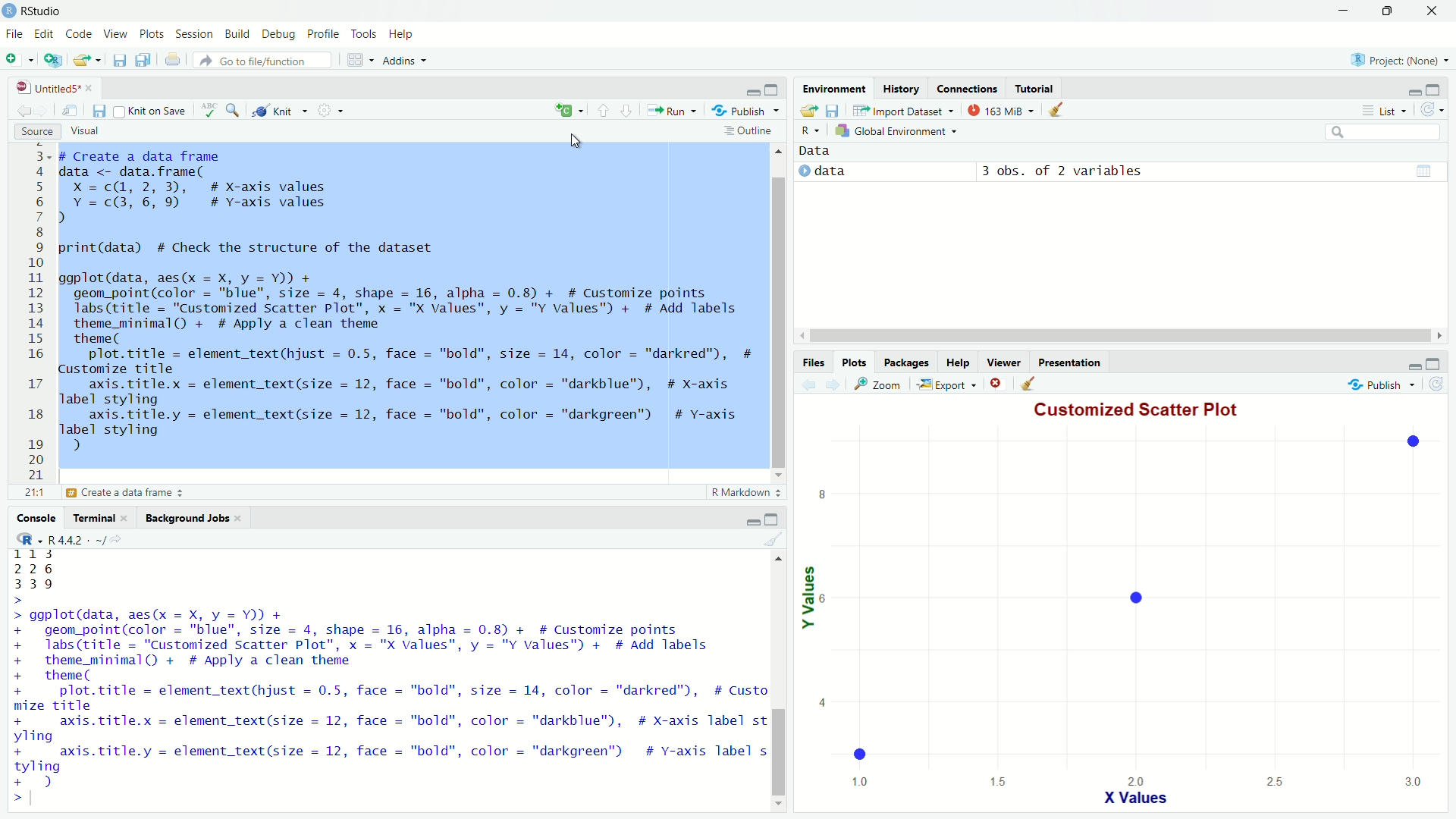  I want to click on Scatter Plot Point 2, so click(1417, 441).